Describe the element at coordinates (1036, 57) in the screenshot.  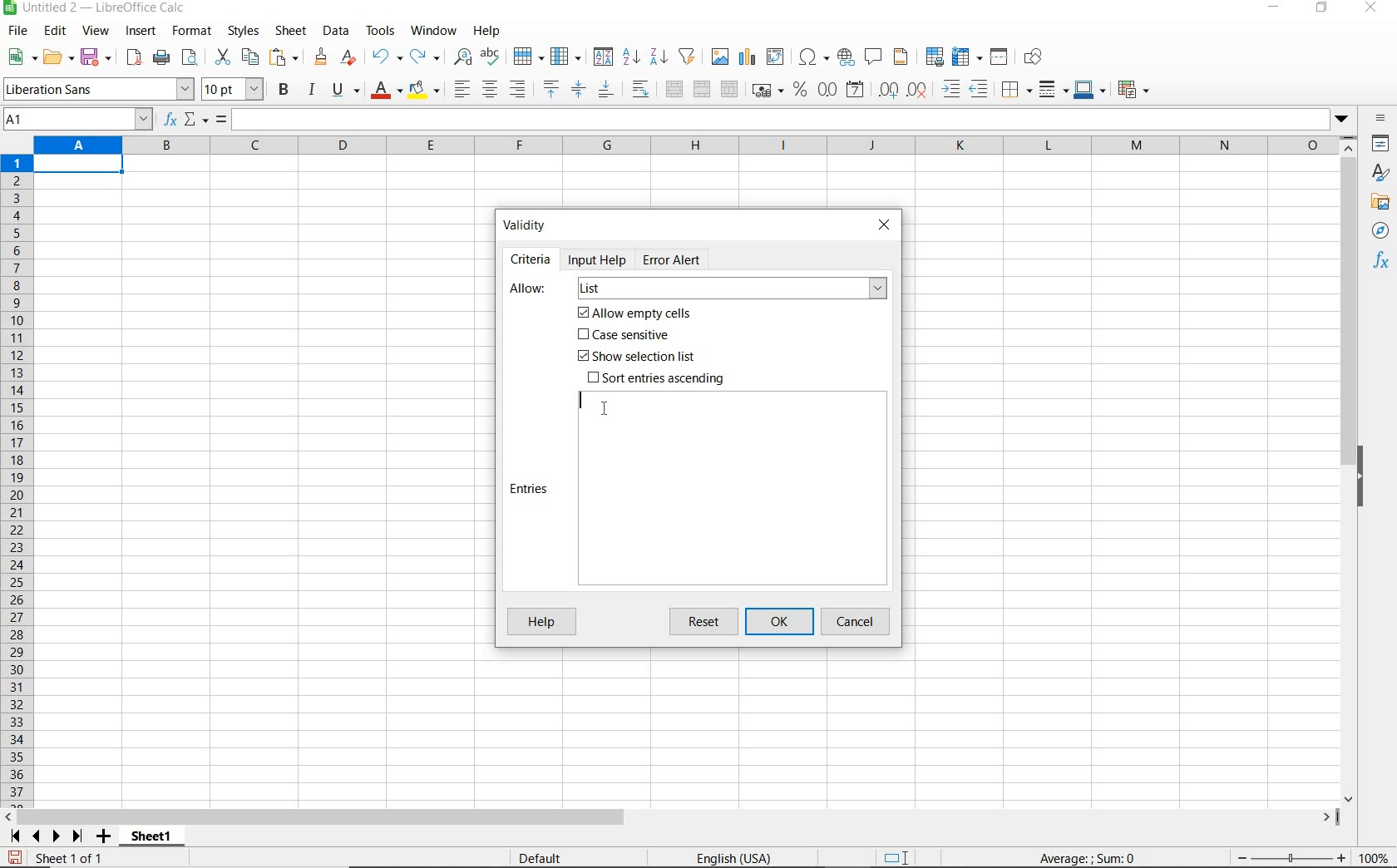
I see `show draw functions` at that location.